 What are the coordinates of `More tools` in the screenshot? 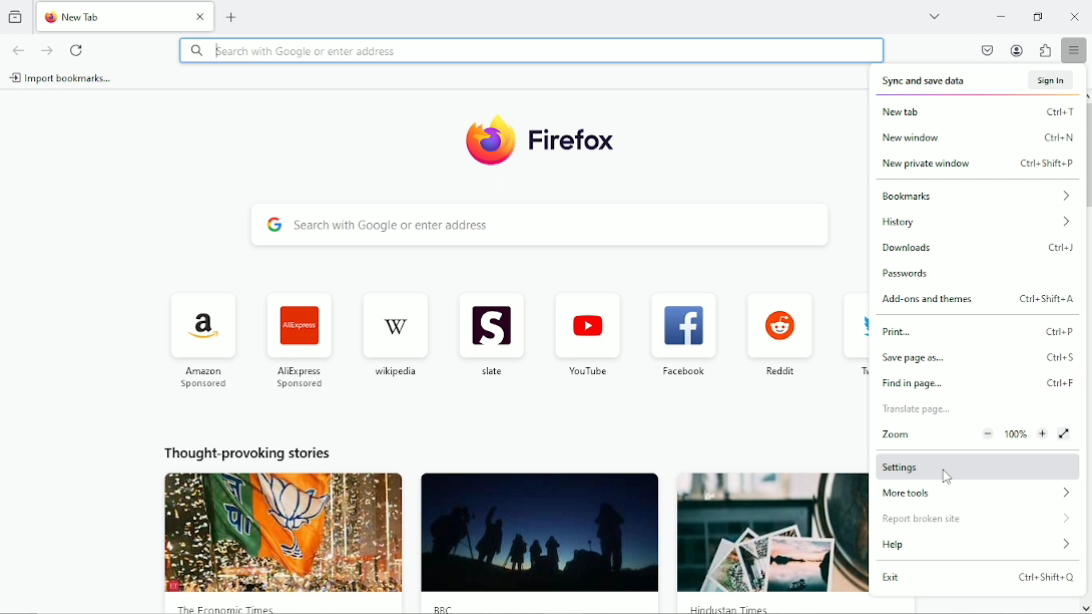 It's located at (981, 494).